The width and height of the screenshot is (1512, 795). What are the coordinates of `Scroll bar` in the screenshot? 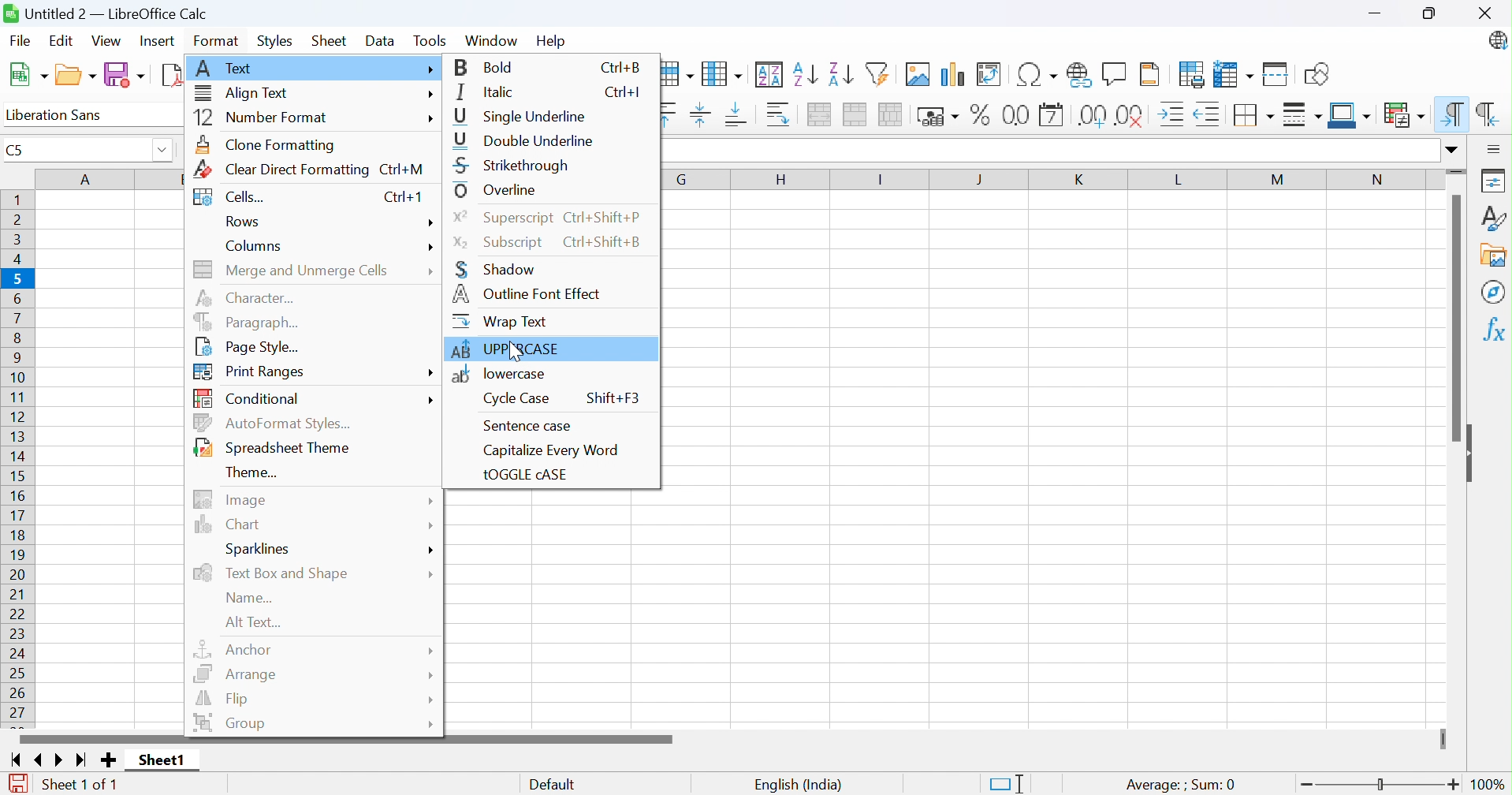 It's located at (1456, 319).